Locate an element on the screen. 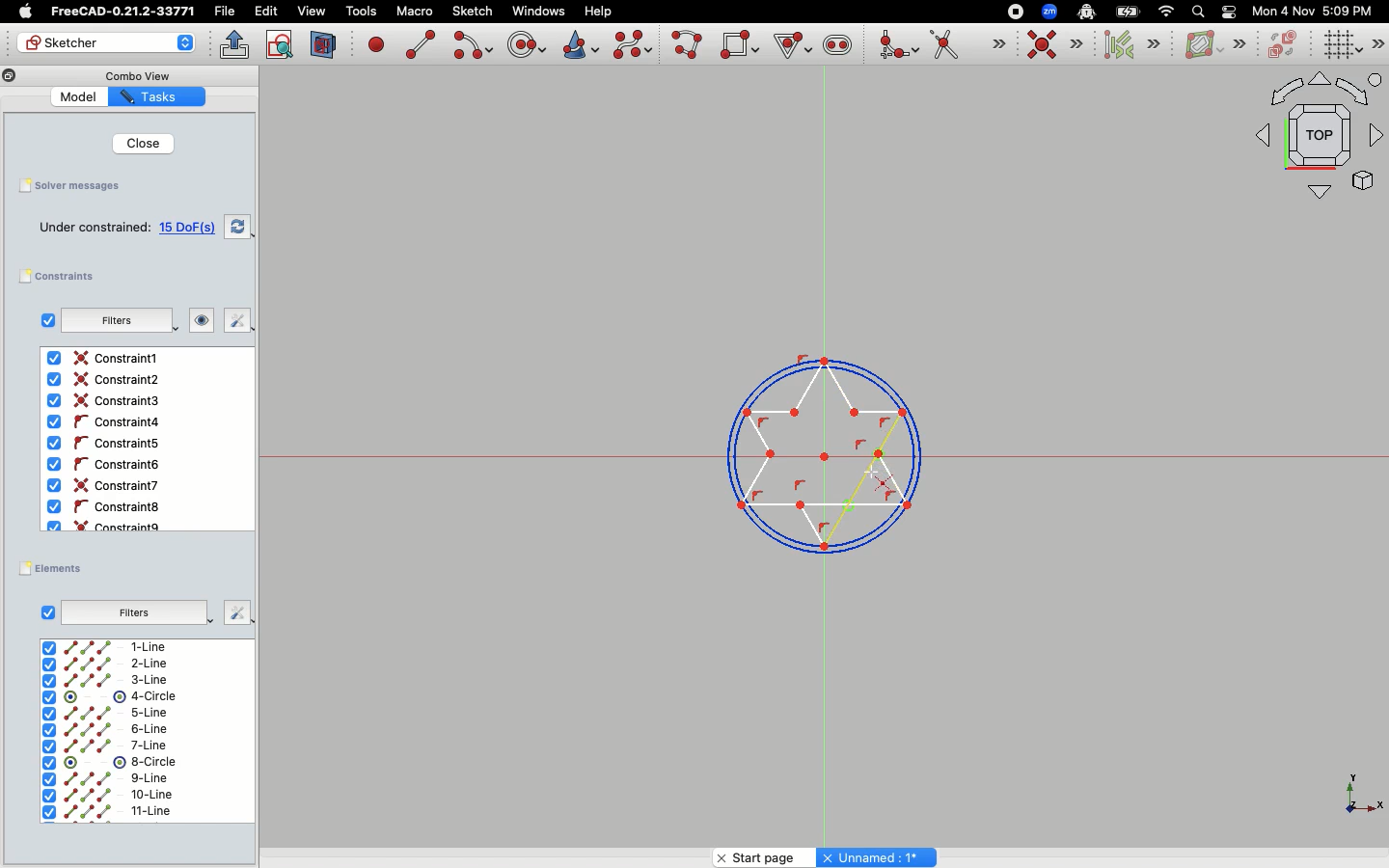 Image resolution: width=1389 pixels, height=868 pixels. Create fillet is located at coordinates (897, 46).